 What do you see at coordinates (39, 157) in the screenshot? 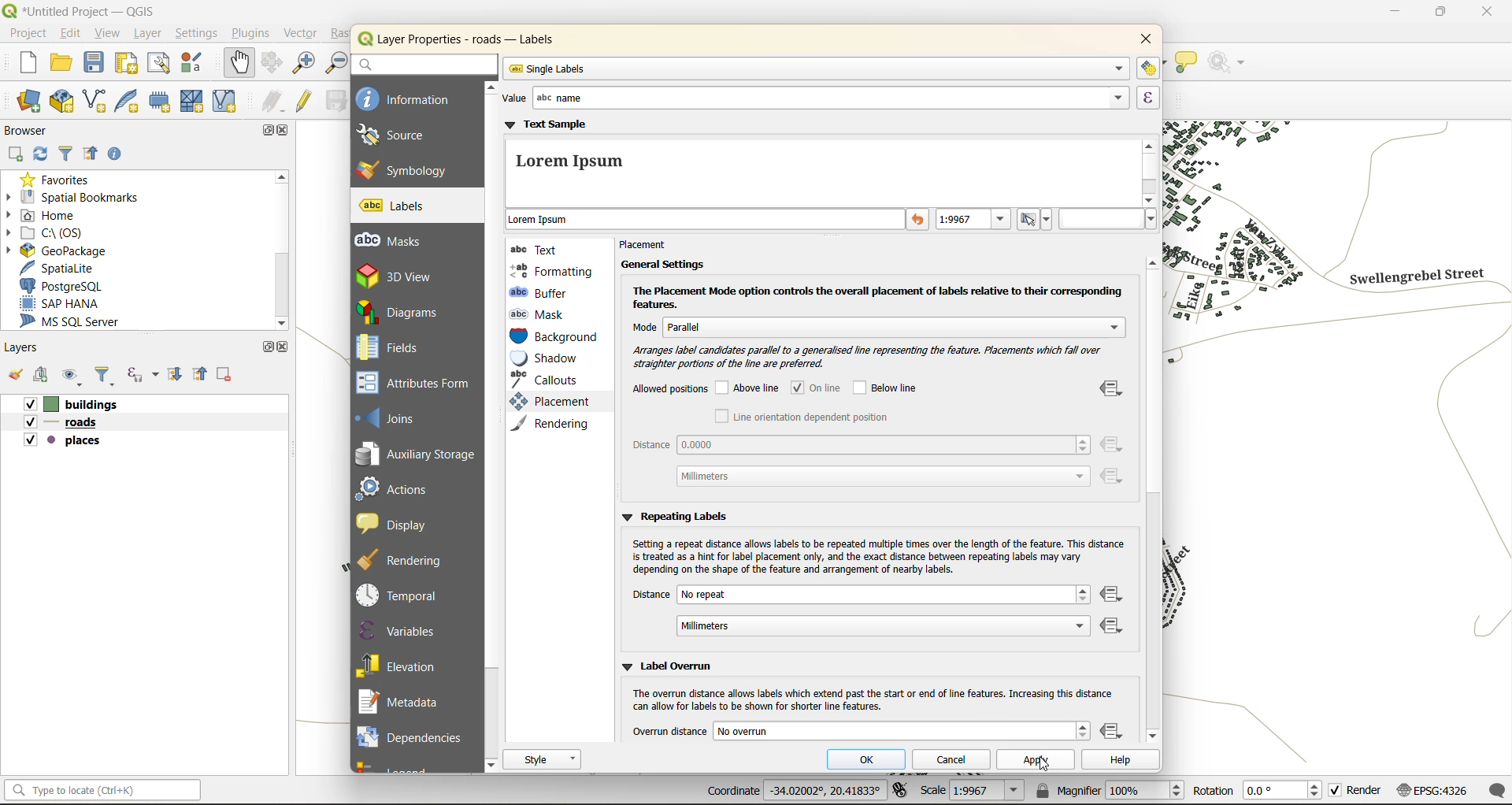
I see `refresh` at bounding box center [39, 157].